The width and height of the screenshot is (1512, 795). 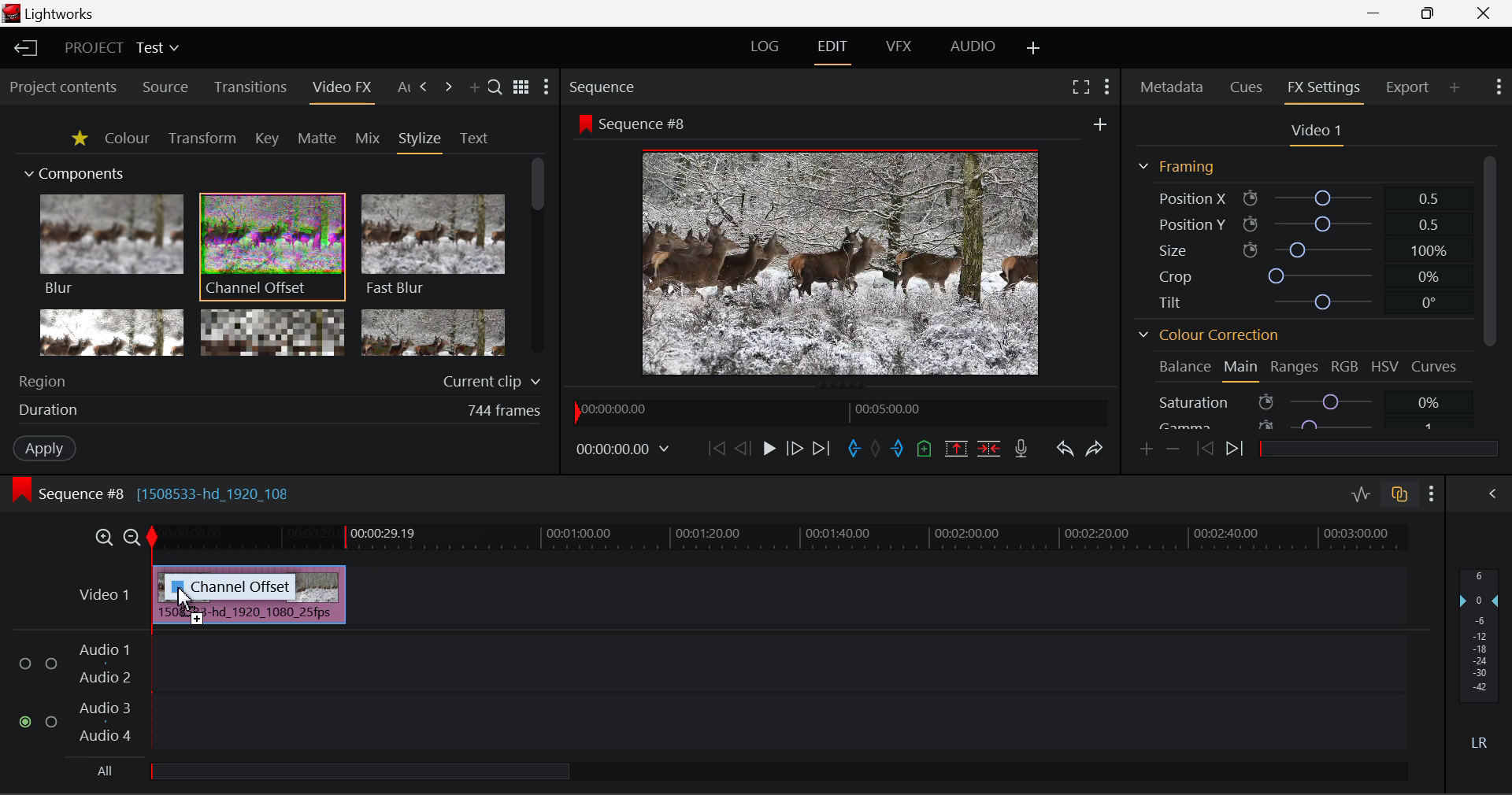 What do you see at coordinates (425, 87) in the screenshot?
I see `Next Tab` at bounding box center [425, 87].